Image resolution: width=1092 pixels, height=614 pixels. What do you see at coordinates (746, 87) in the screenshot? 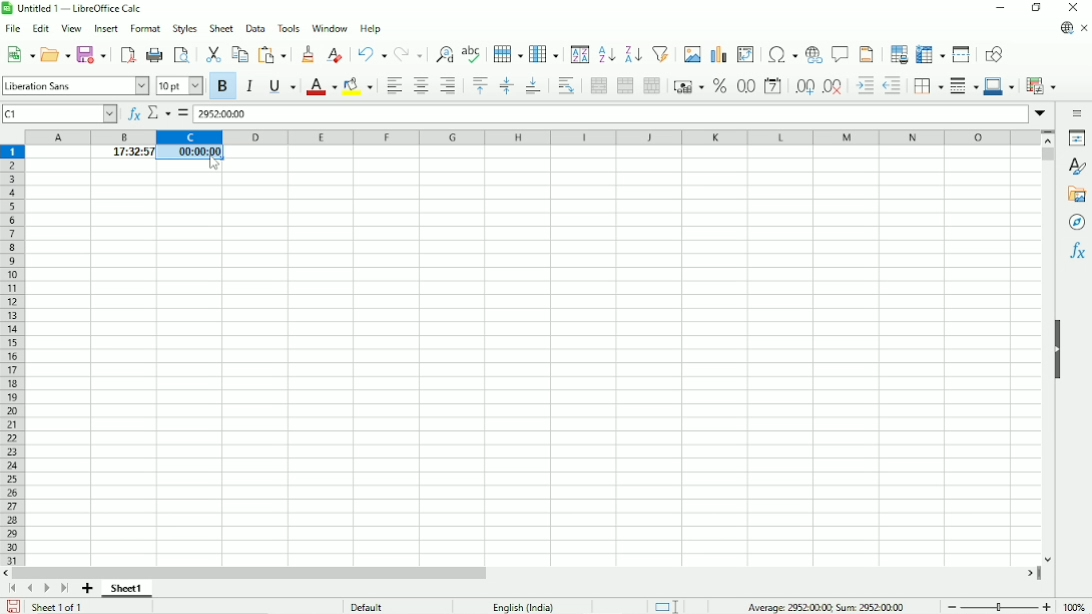
I see `Format as number` at bounding box center [746, 87].